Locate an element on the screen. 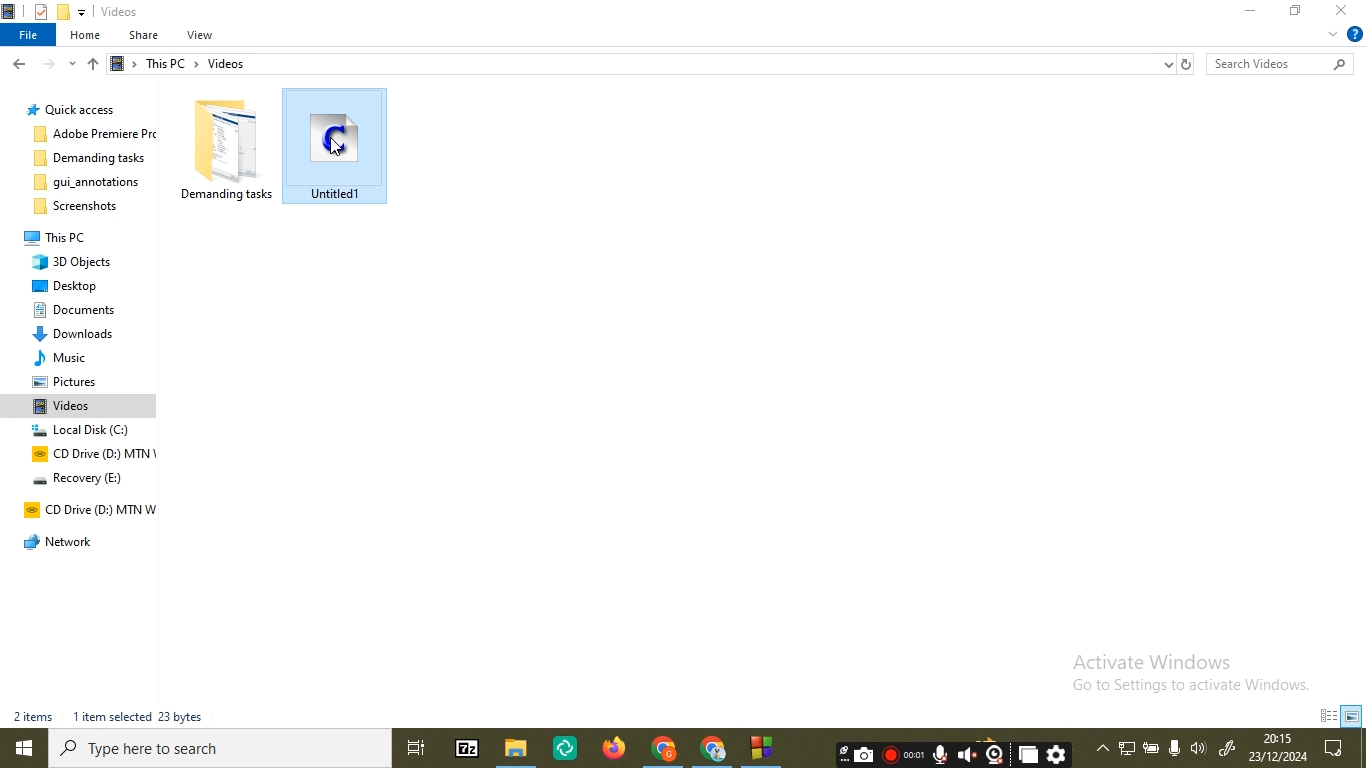 This screenshot has height=768, width=1366. restore is located at coordinates (1299, 14).